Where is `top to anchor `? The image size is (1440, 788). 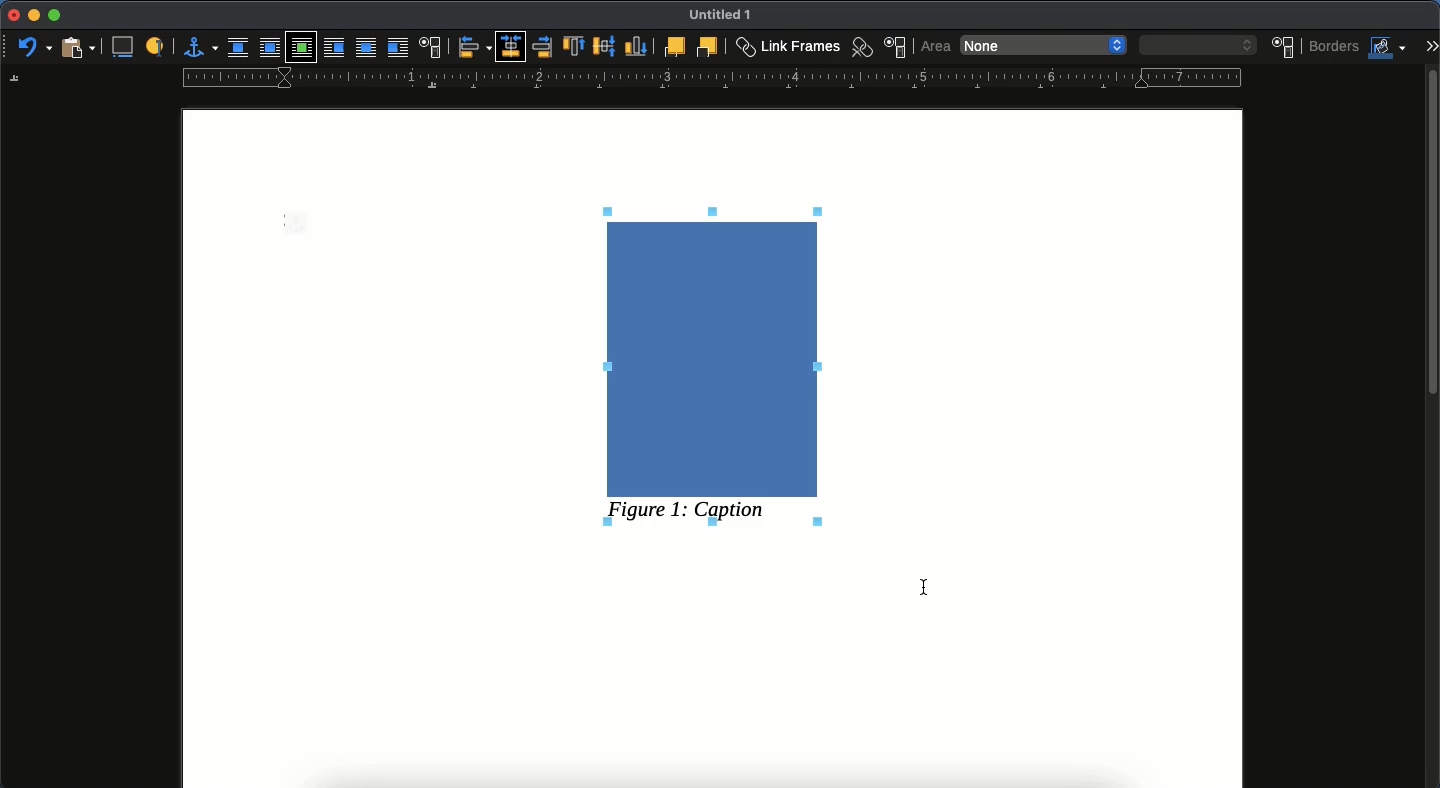
top to anchor  is located at coordinates (576, 46).